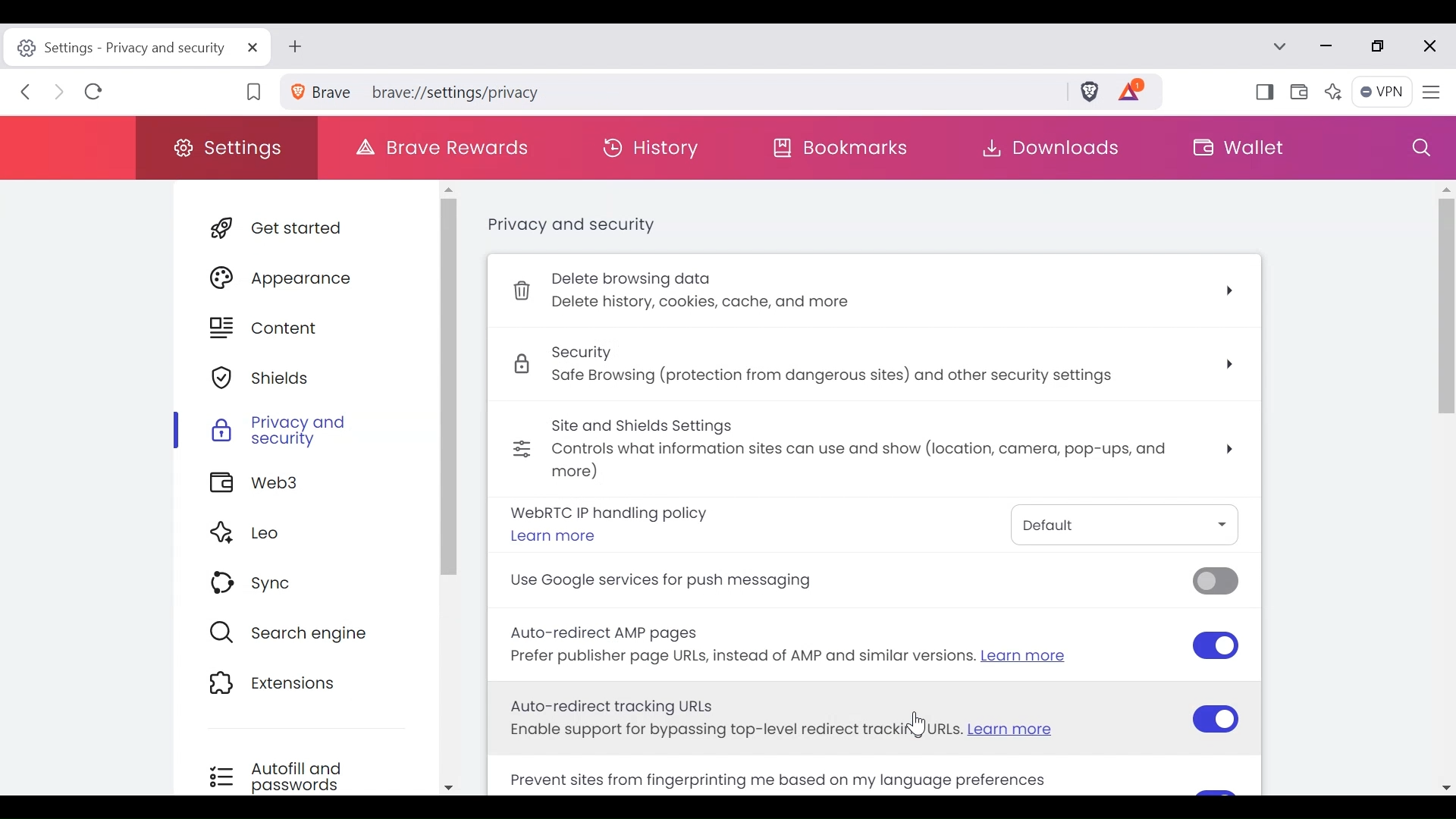 This screenshot has width=1456, height=819. Describe the element at coordinates (880, 368) in the screenshot. I see `security safe browsing (protection from dangerous websites) and other security settings` at that location.